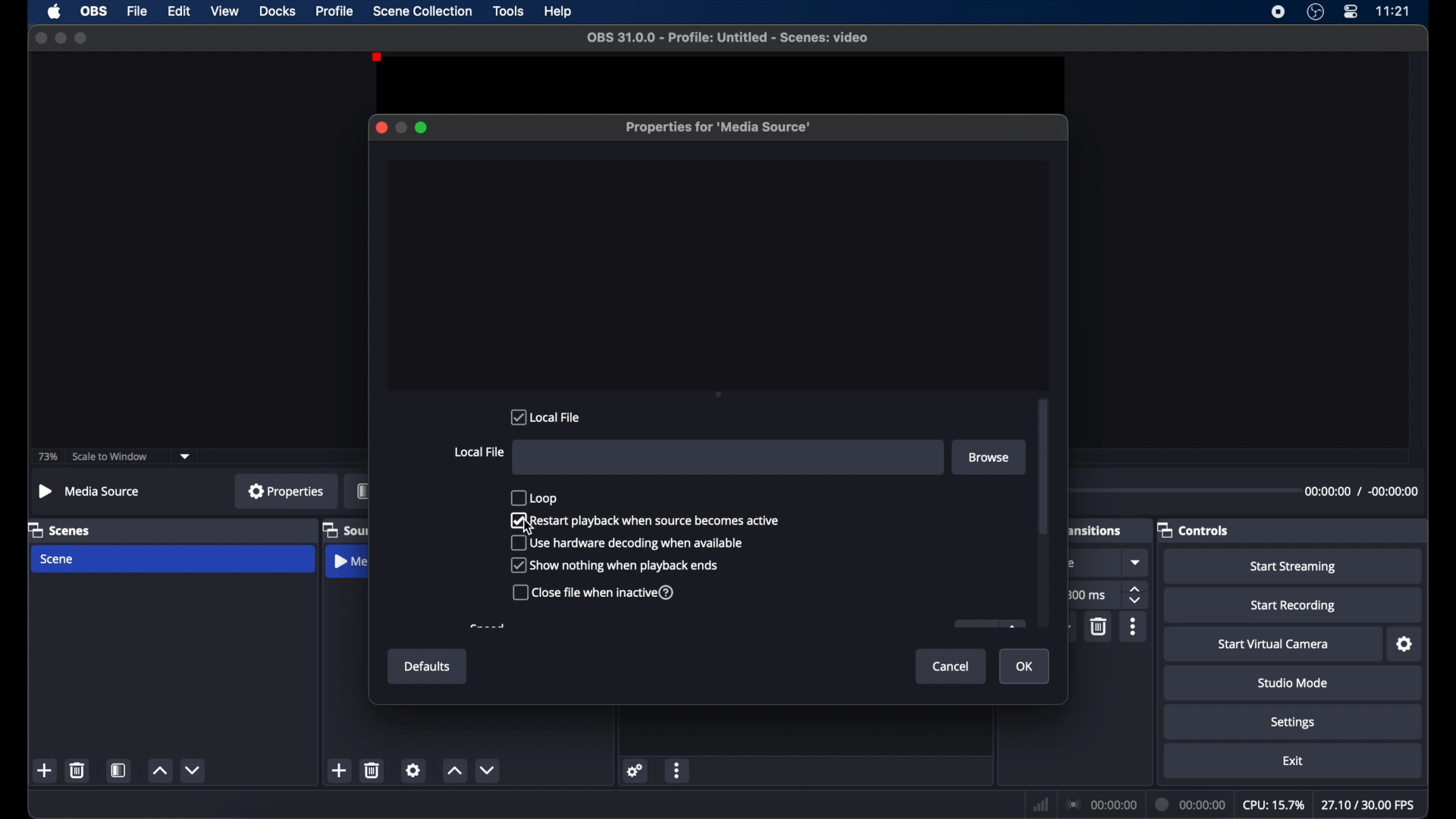 The image size is (1456, 819). What do you see at coordinates (1278, 11) in the screenshot?
I see `screen recorder icon` at bounding box center [1278, 11].